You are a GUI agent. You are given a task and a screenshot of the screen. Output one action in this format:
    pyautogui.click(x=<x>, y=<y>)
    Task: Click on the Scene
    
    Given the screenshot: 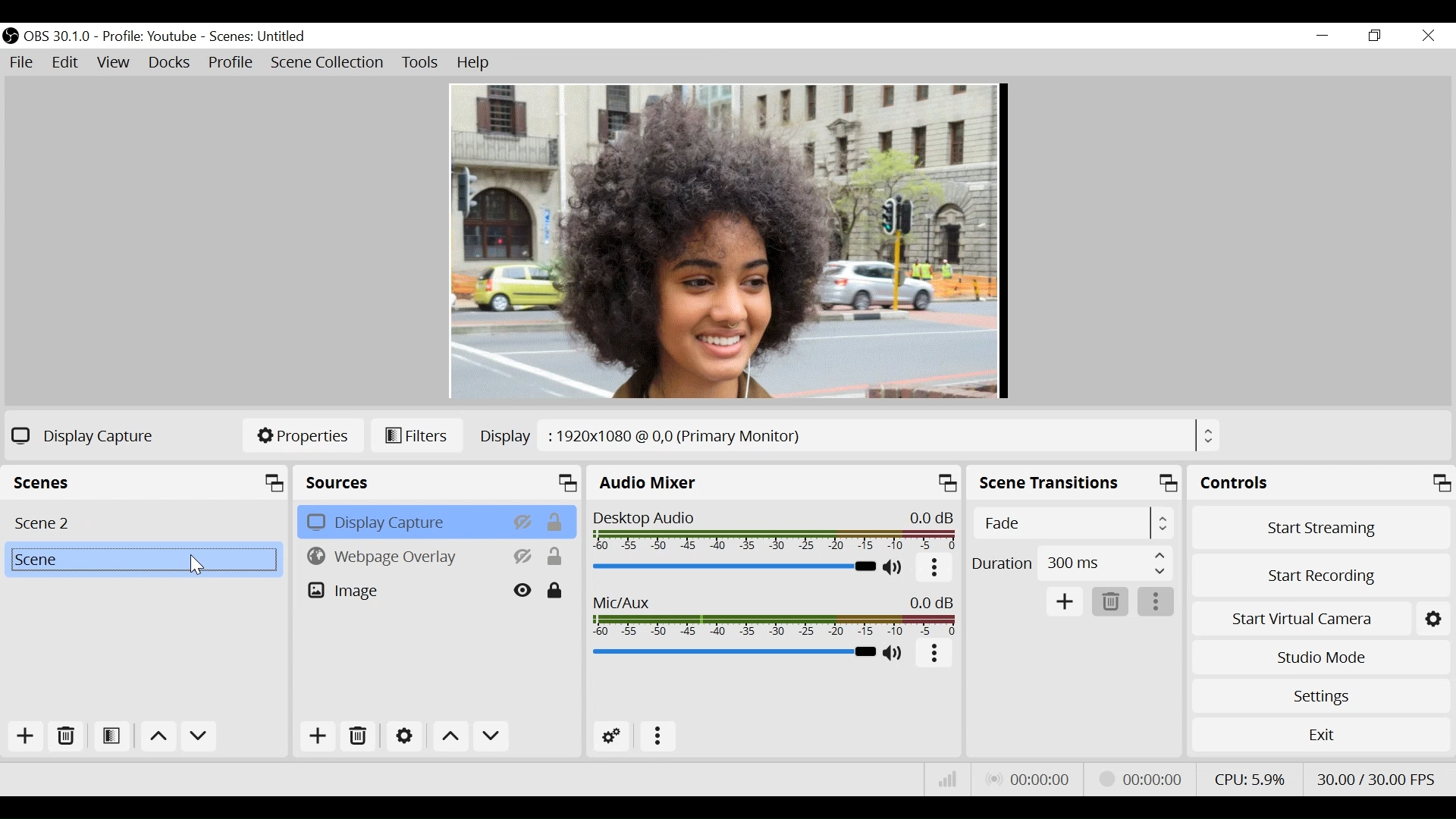 What is the action you would take?
    pyautogui.click(x=144, y=521)
    